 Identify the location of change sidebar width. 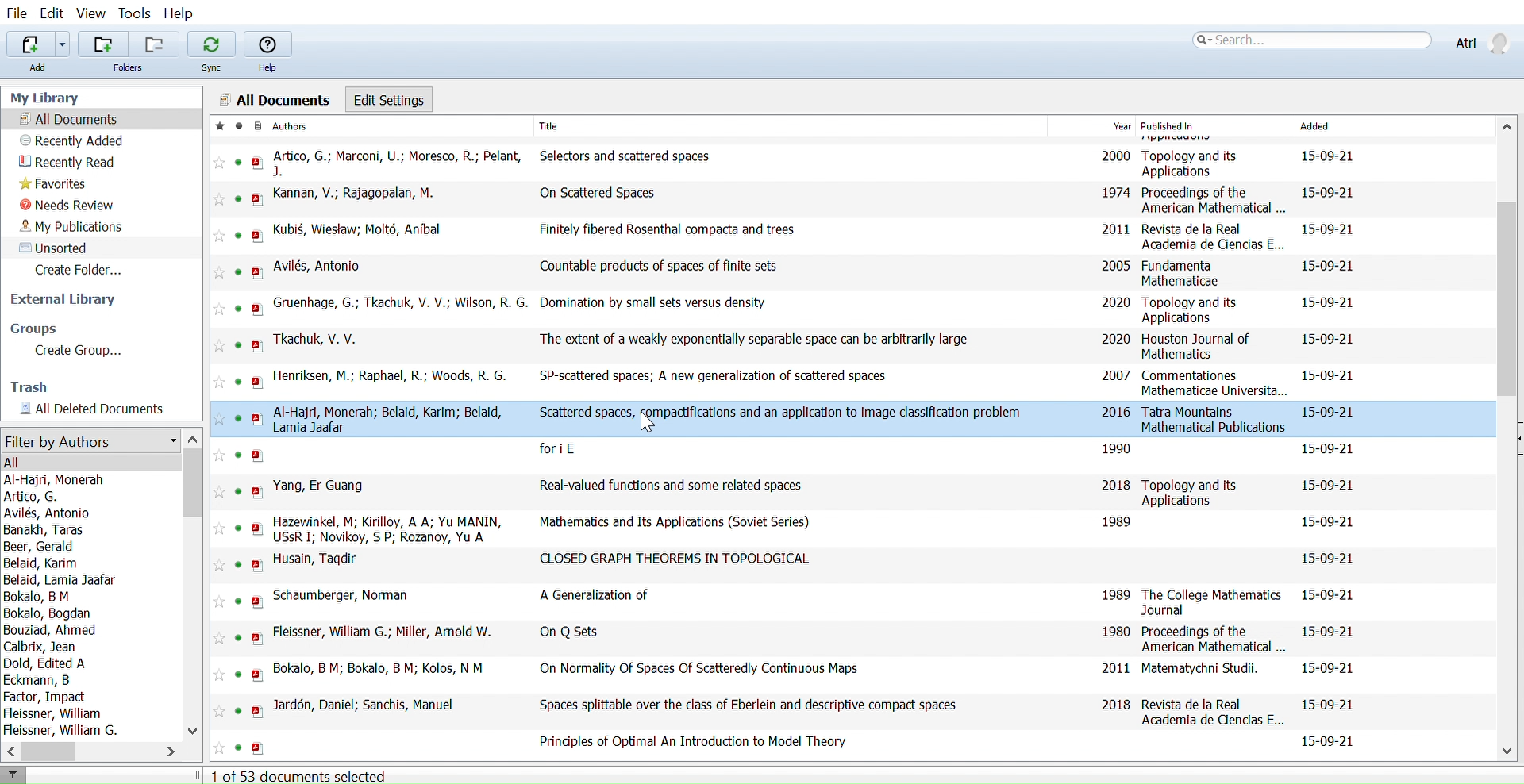
(198, 775).